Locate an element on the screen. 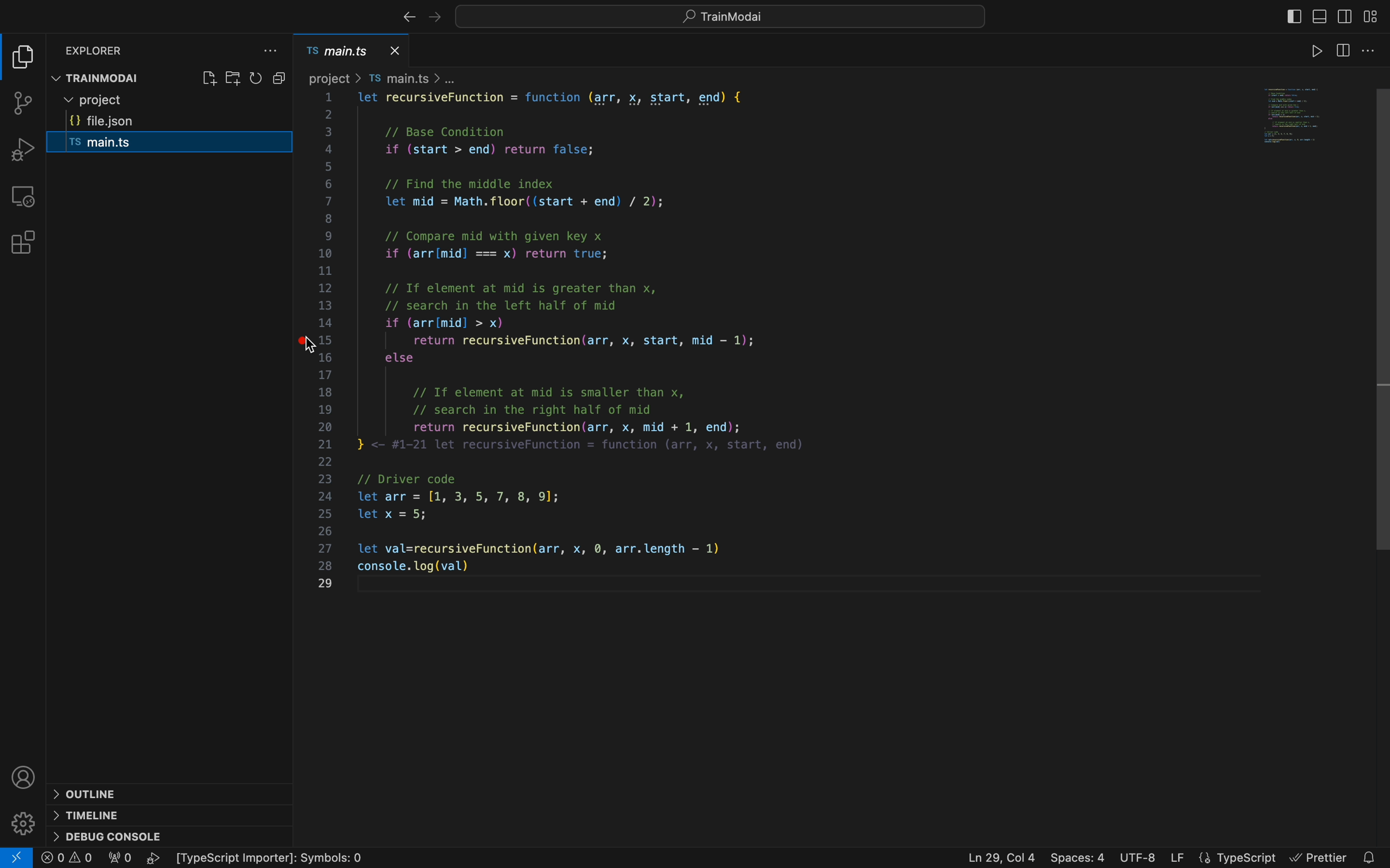  right arrow is located at coordinates (404, 15).